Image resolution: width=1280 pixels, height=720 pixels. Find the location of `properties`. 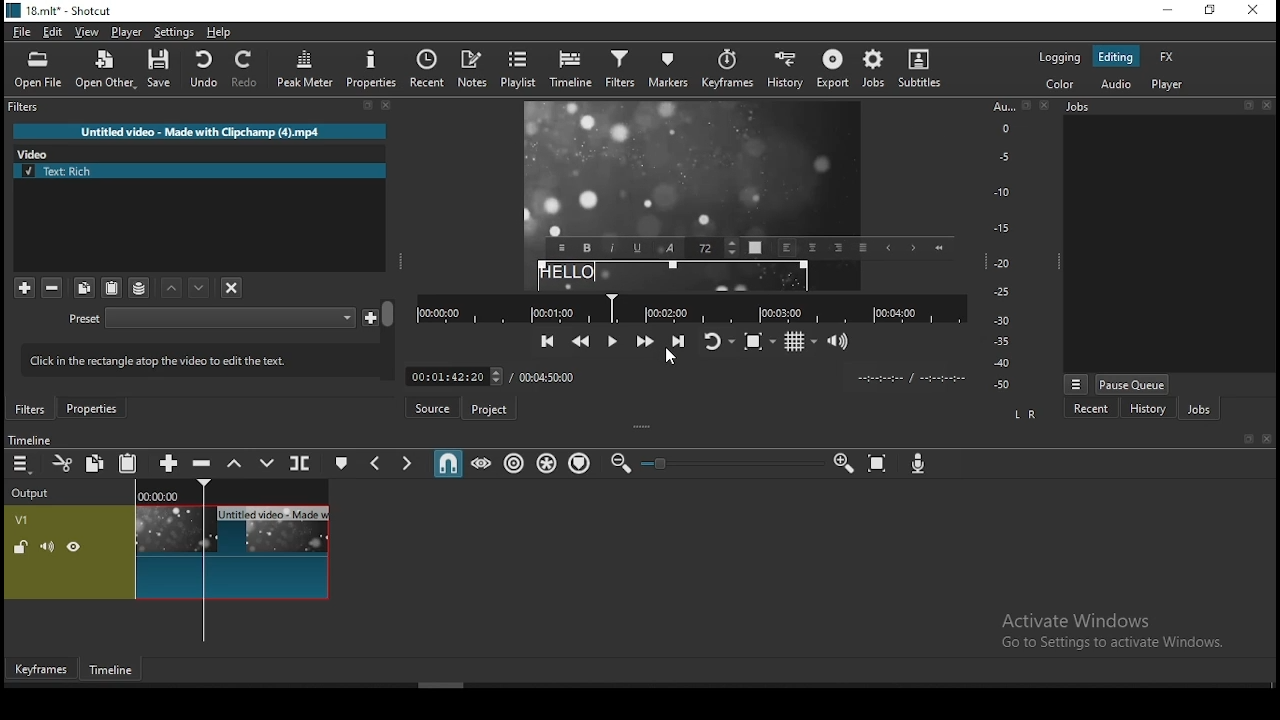

properties is located at coordinates (91, 408).